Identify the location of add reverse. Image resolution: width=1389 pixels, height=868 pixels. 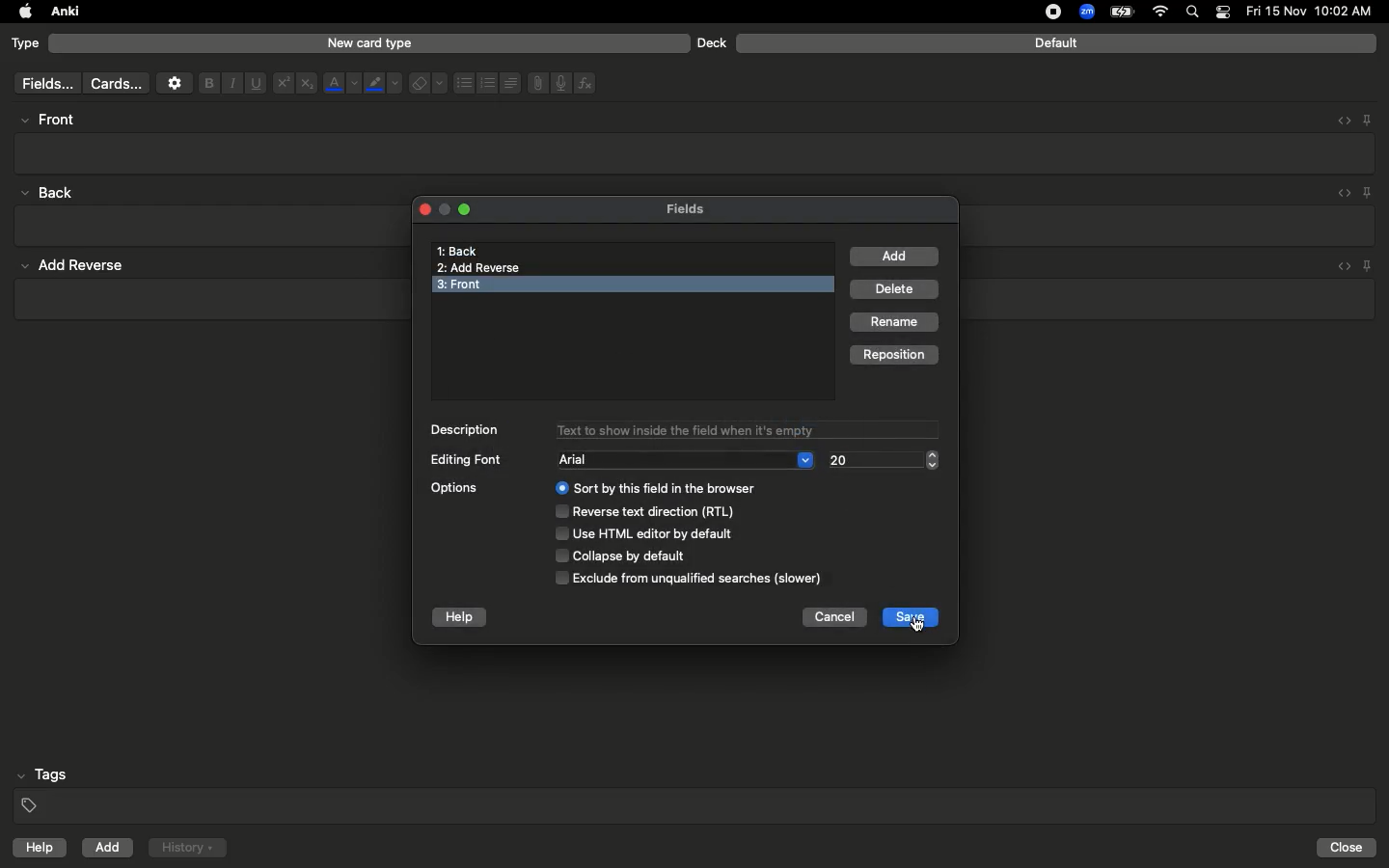
(81, 266).